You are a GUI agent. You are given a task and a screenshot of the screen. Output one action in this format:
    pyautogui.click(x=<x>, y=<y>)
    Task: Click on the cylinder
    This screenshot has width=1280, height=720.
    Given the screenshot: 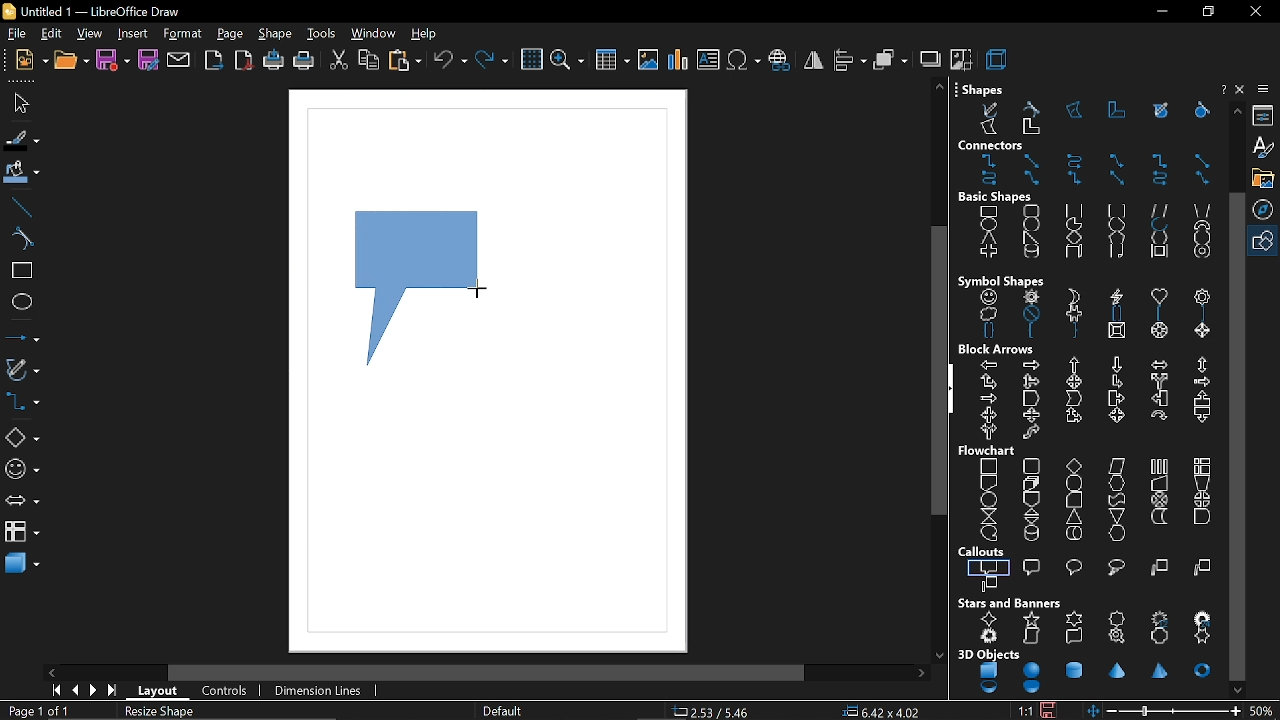 What is the action you would take?
    pyautogui.click(x=1073, y=669)
    